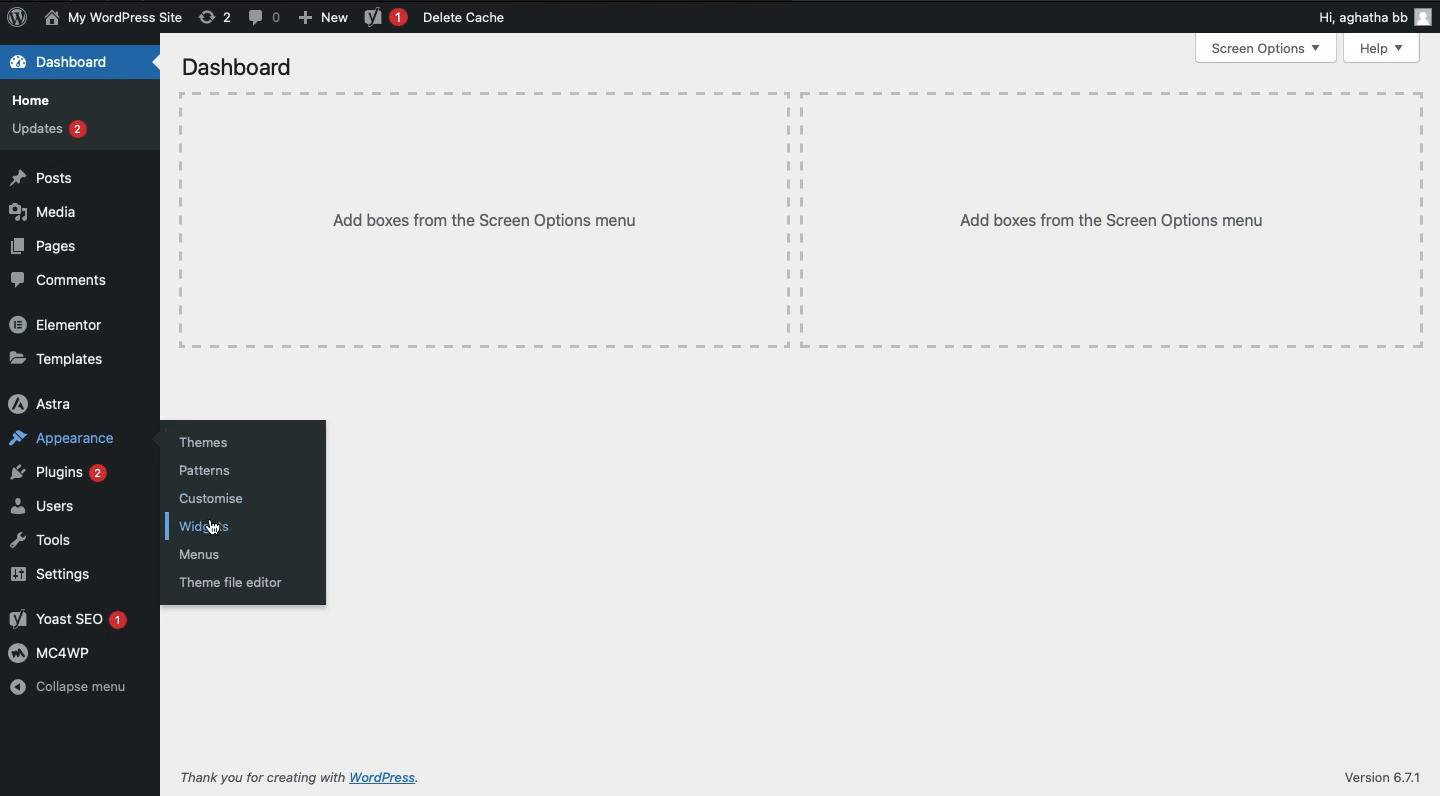  I want to click on as Users, so click(57, 510).